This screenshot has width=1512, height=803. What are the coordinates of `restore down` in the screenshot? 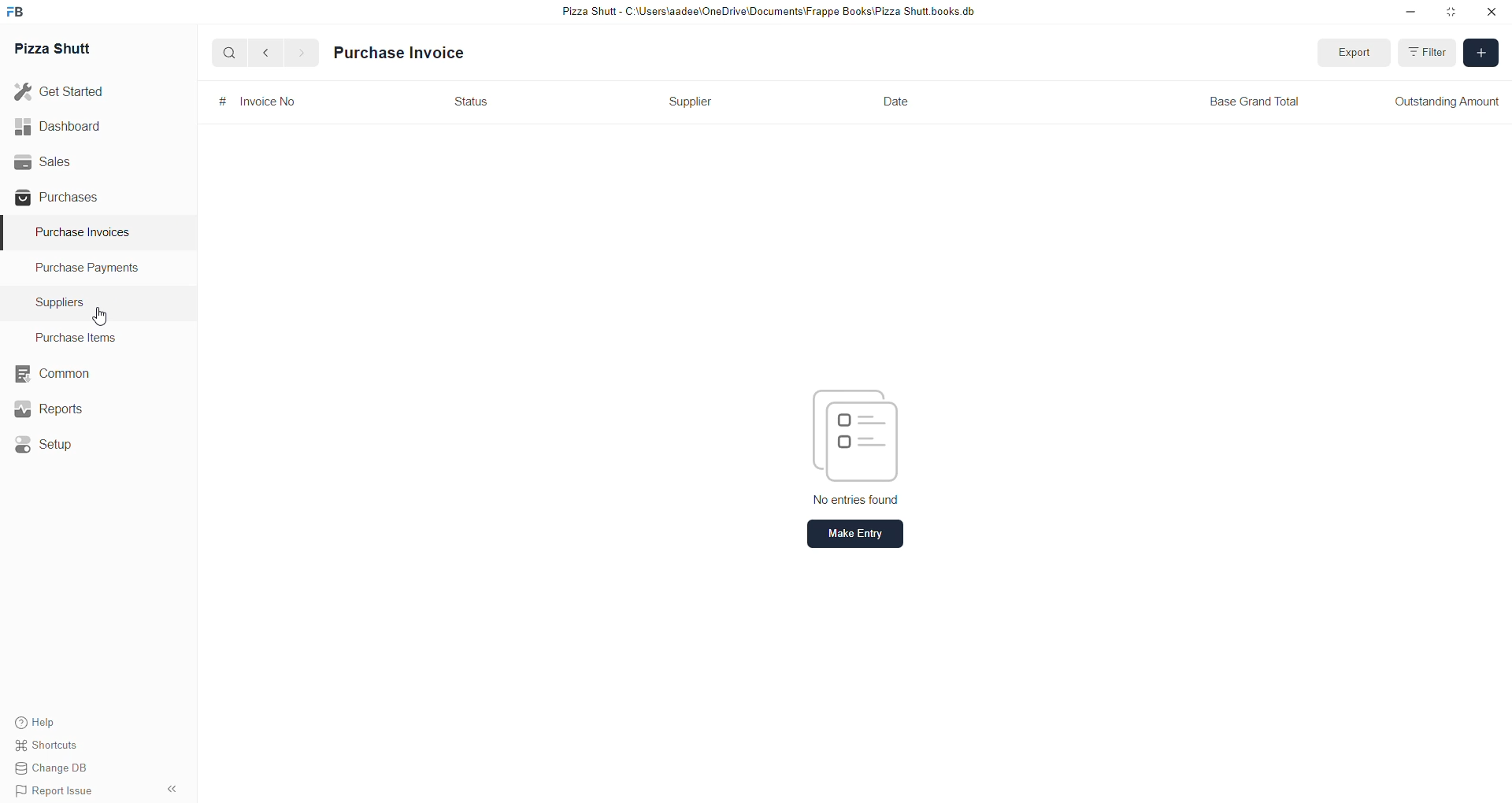 It's located at (1449, 13).